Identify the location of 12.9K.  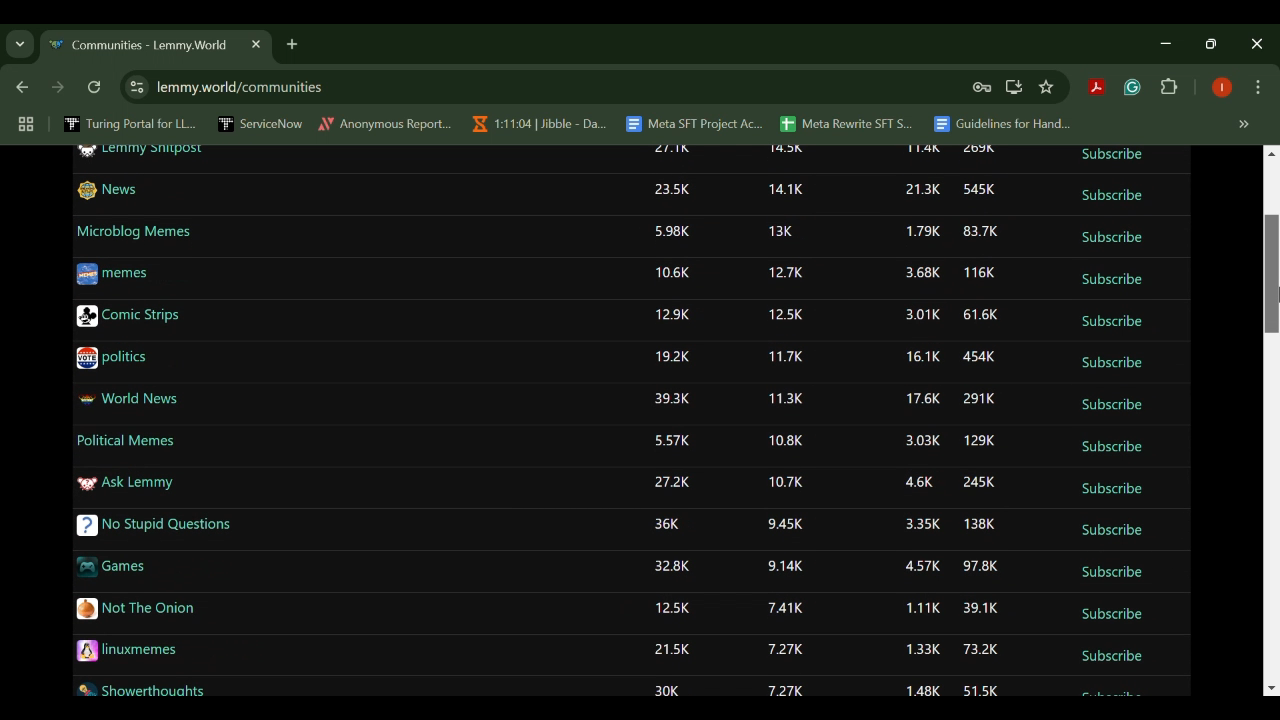
(673, 313).